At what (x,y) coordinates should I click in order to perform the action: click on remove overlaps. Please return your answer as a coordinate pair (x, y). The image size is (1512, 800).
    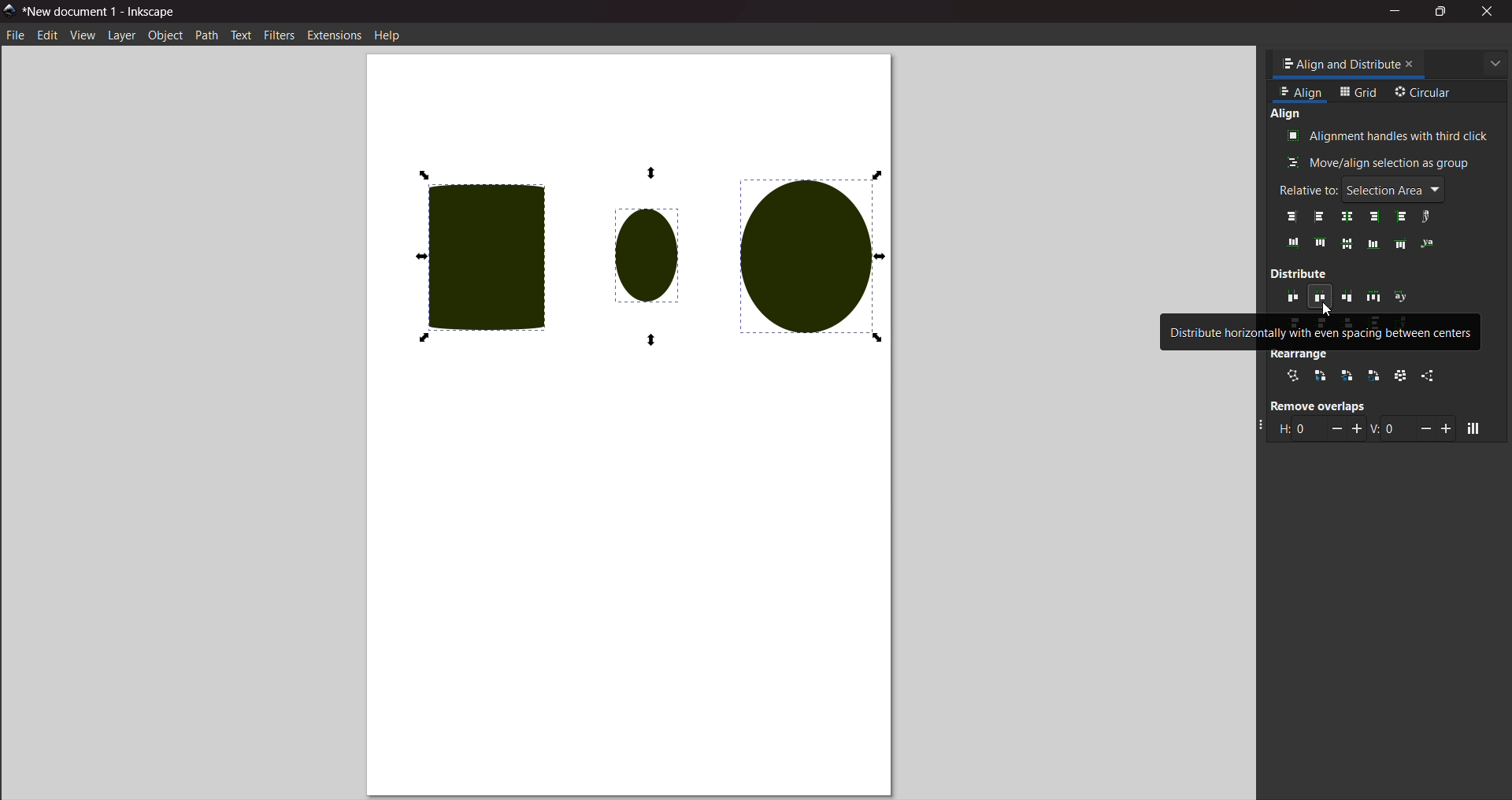
    Looking at the image, I should click on (1313, 405).